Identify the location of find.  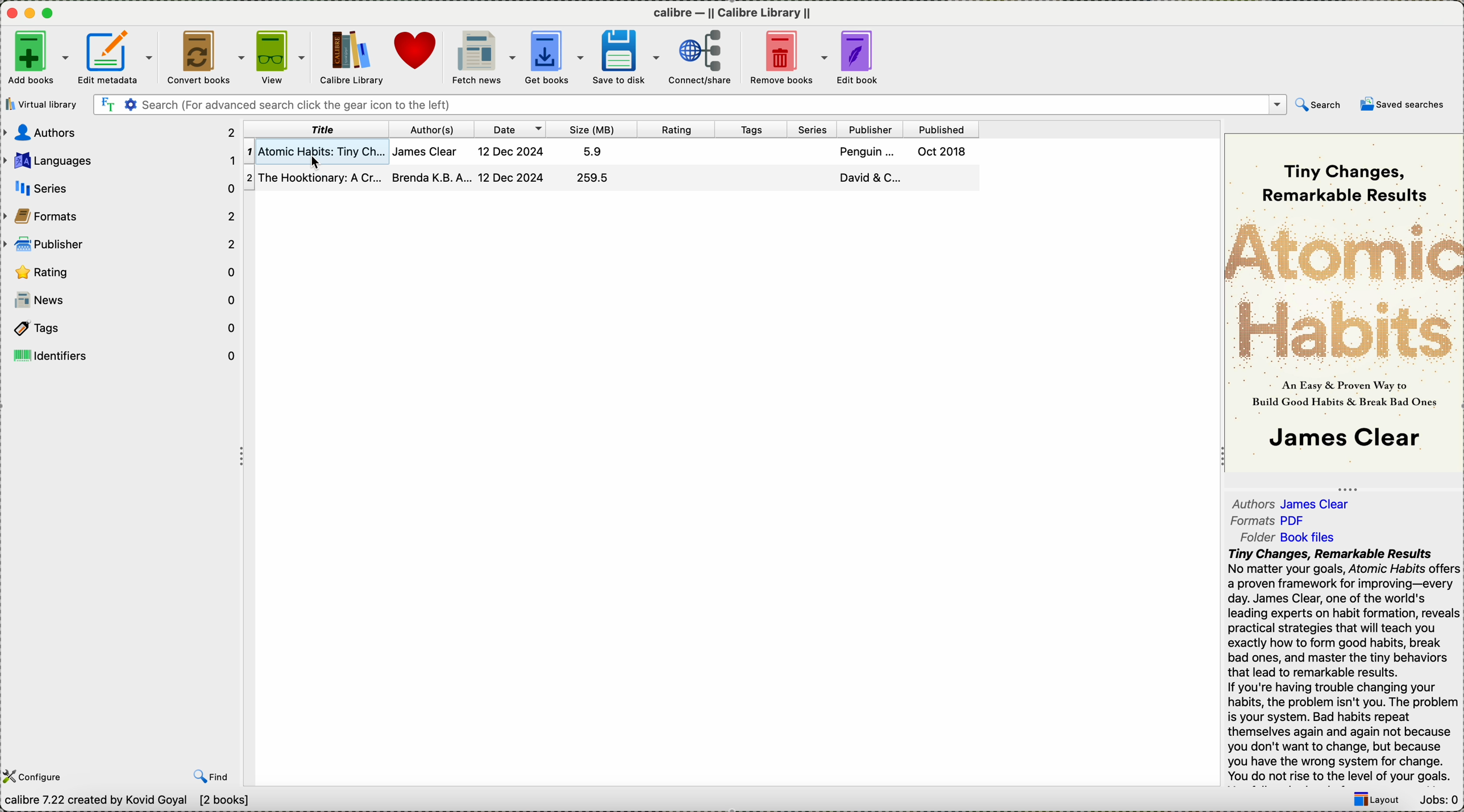
(210, 777).